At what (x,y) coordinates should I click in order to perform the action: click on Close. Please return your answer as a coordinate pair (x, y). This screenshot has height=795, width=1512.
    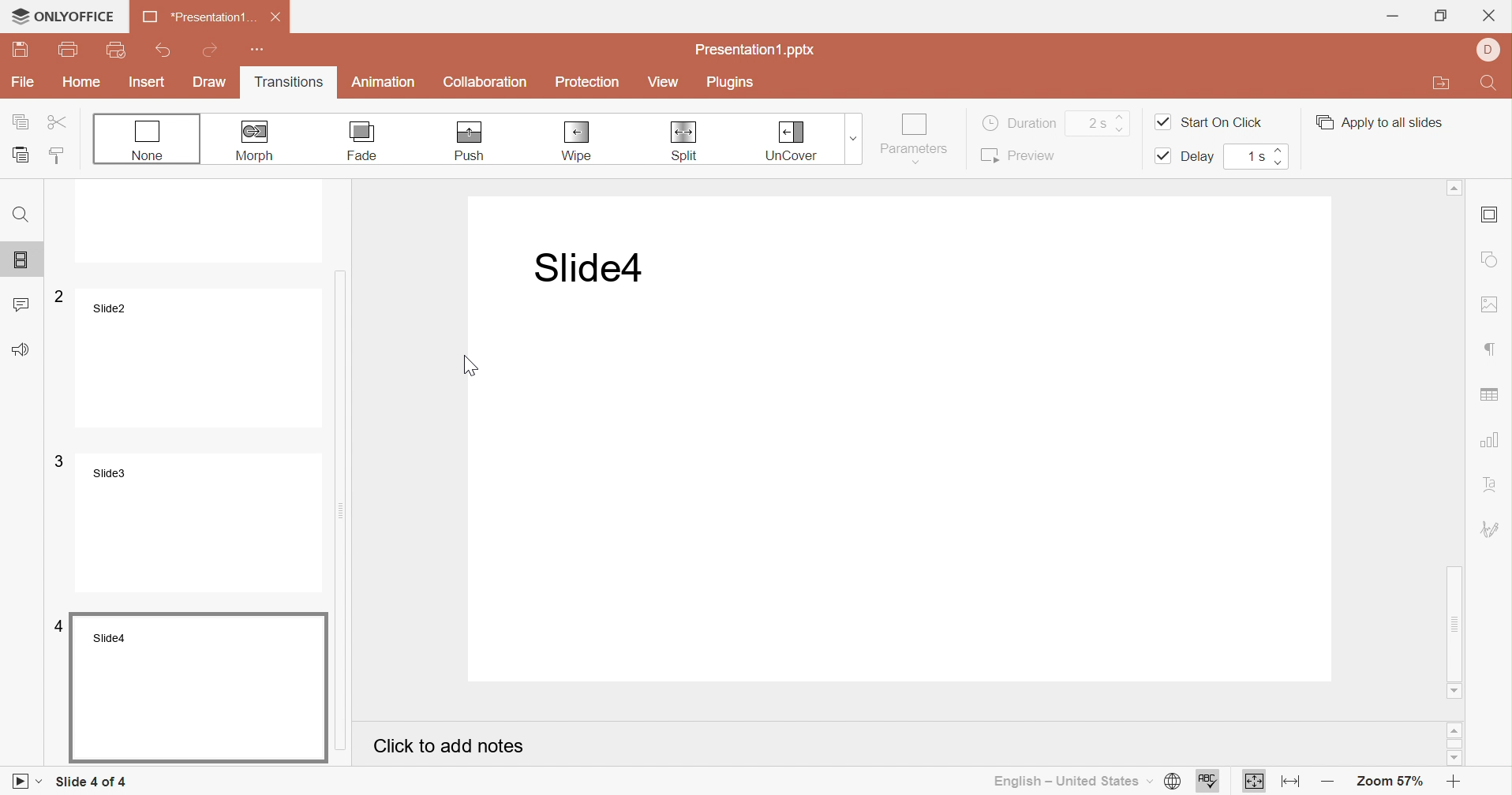
    Looking at the image, I should click on (276, 17).